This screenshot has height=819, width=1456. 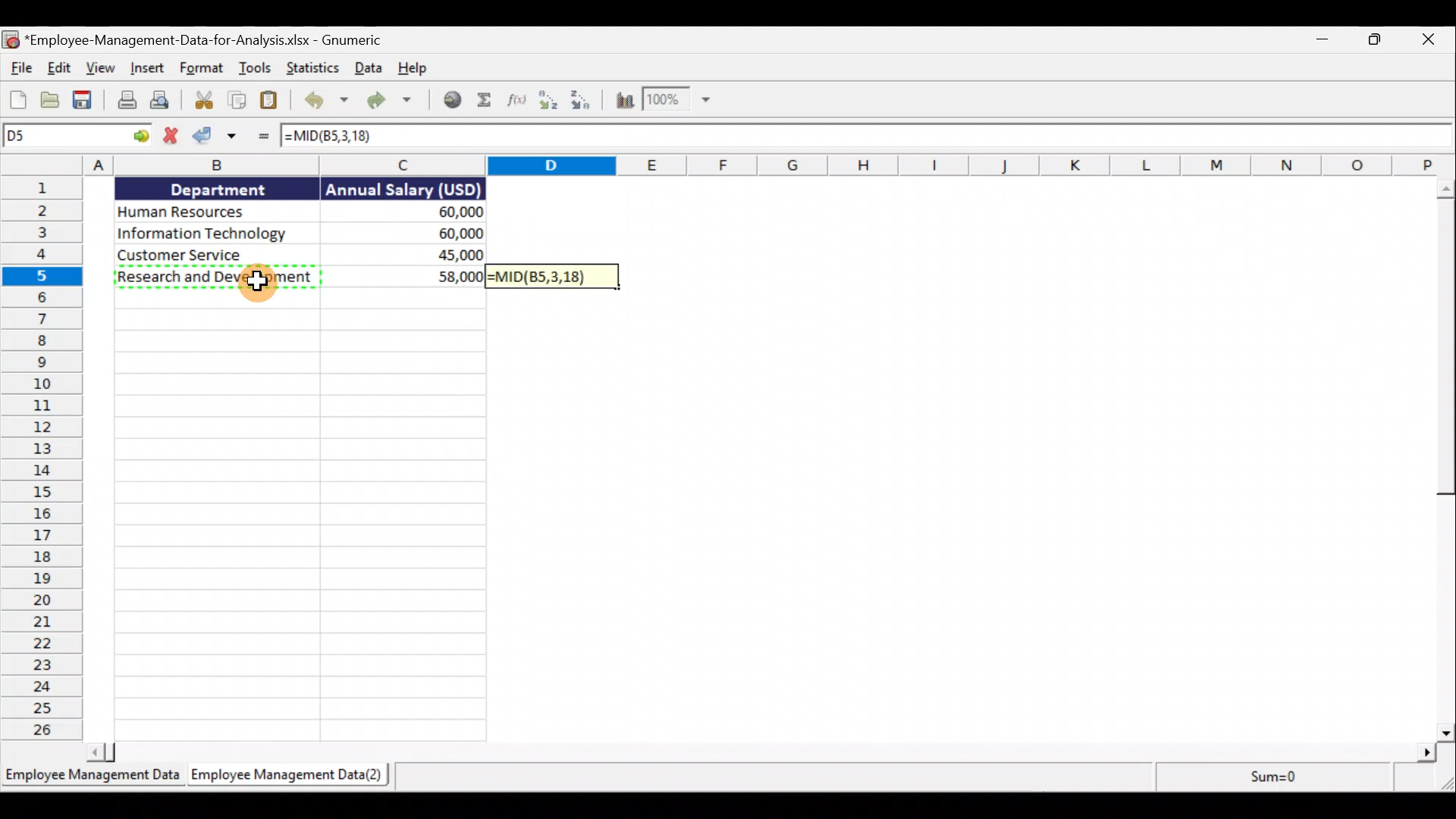 What do you see at coordinates (202, 102) in the screenshot?
I see `Cut selection` at bounding box center [202, 102].